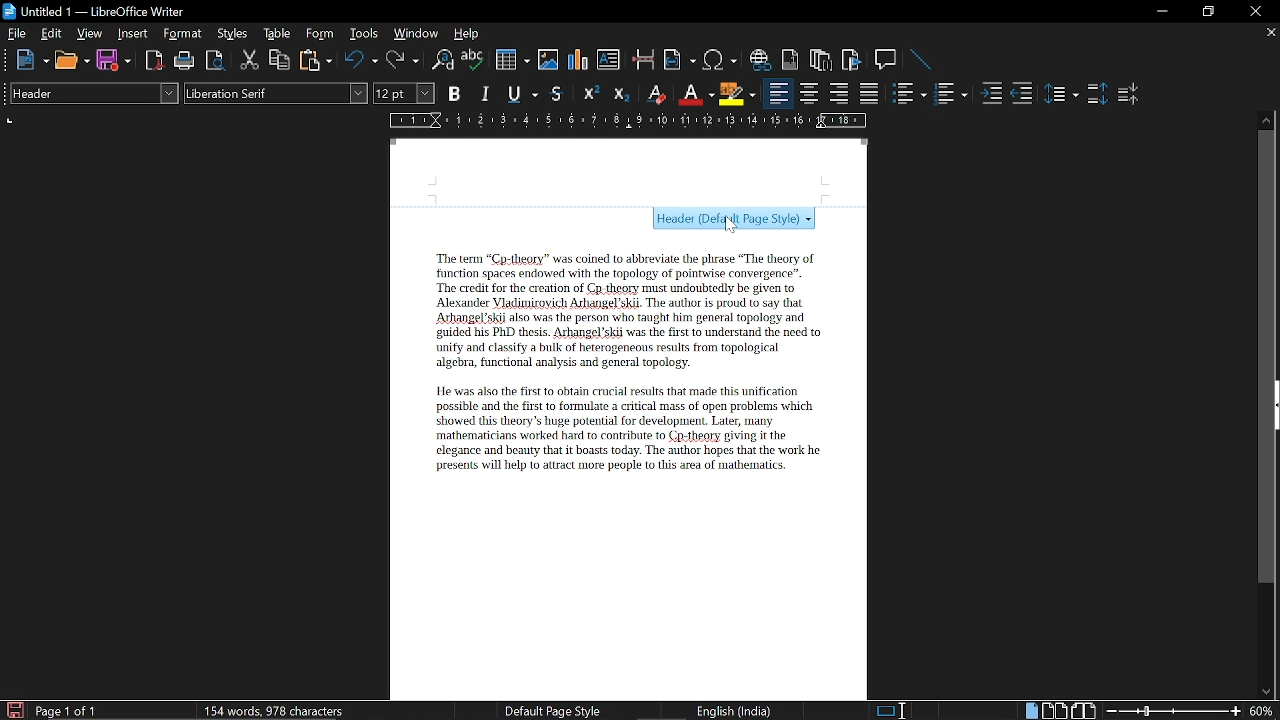  What do you see at coordinates (402, 60) in the screenshot?
I see `Redo` at bounding box center [402, 60].